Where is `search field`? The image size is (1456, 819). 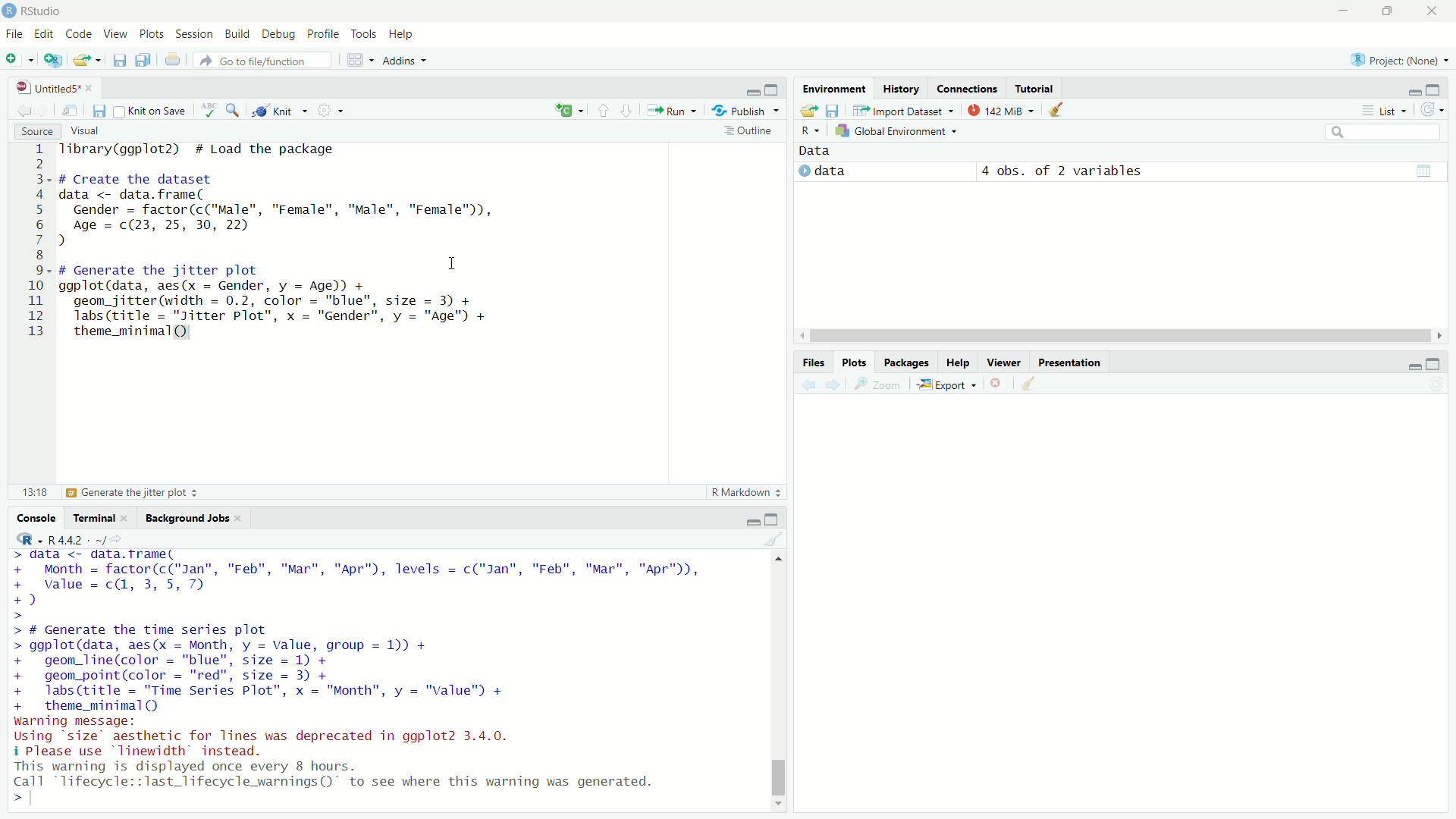
search field is located at coordinates (1388, 133).